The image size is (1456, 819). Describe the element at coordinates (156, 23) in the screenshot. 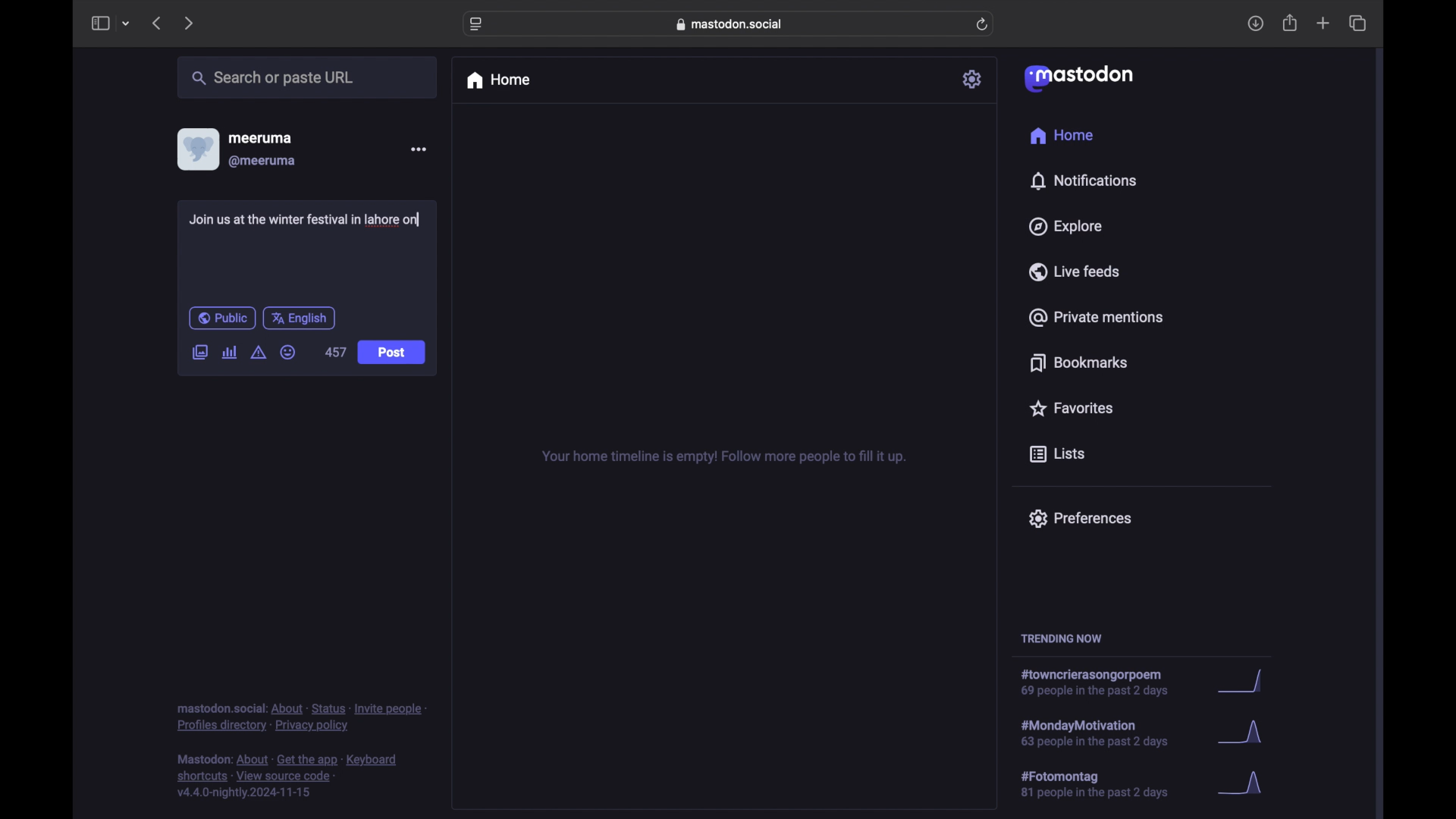

I see `previous` at that location.